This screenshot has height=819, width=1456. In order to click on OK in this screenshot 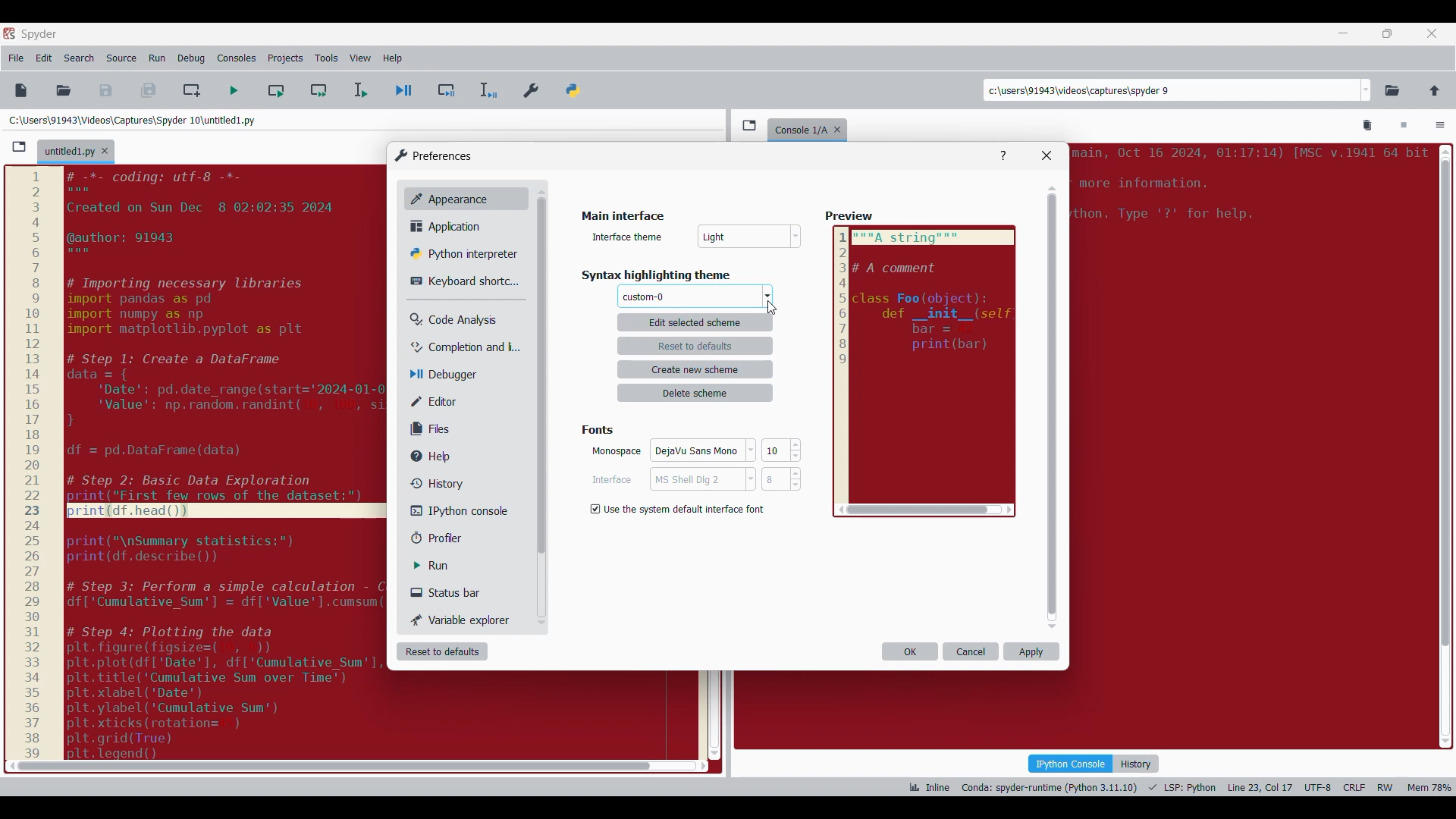, I will do `click(696, 453)`.